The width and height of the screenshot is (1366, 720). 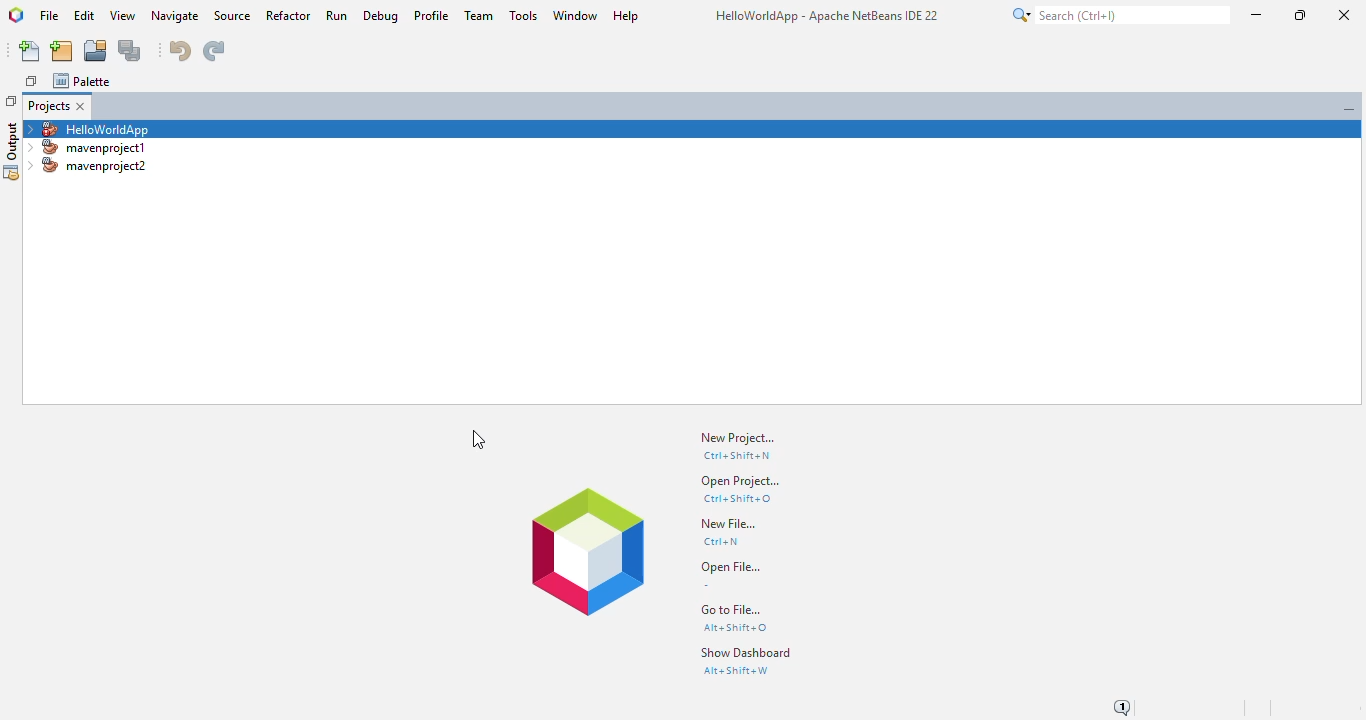 What do you see at coordinates (176, 17) in the screenshot?
I see `navigate` at bounding box center [176, 17].